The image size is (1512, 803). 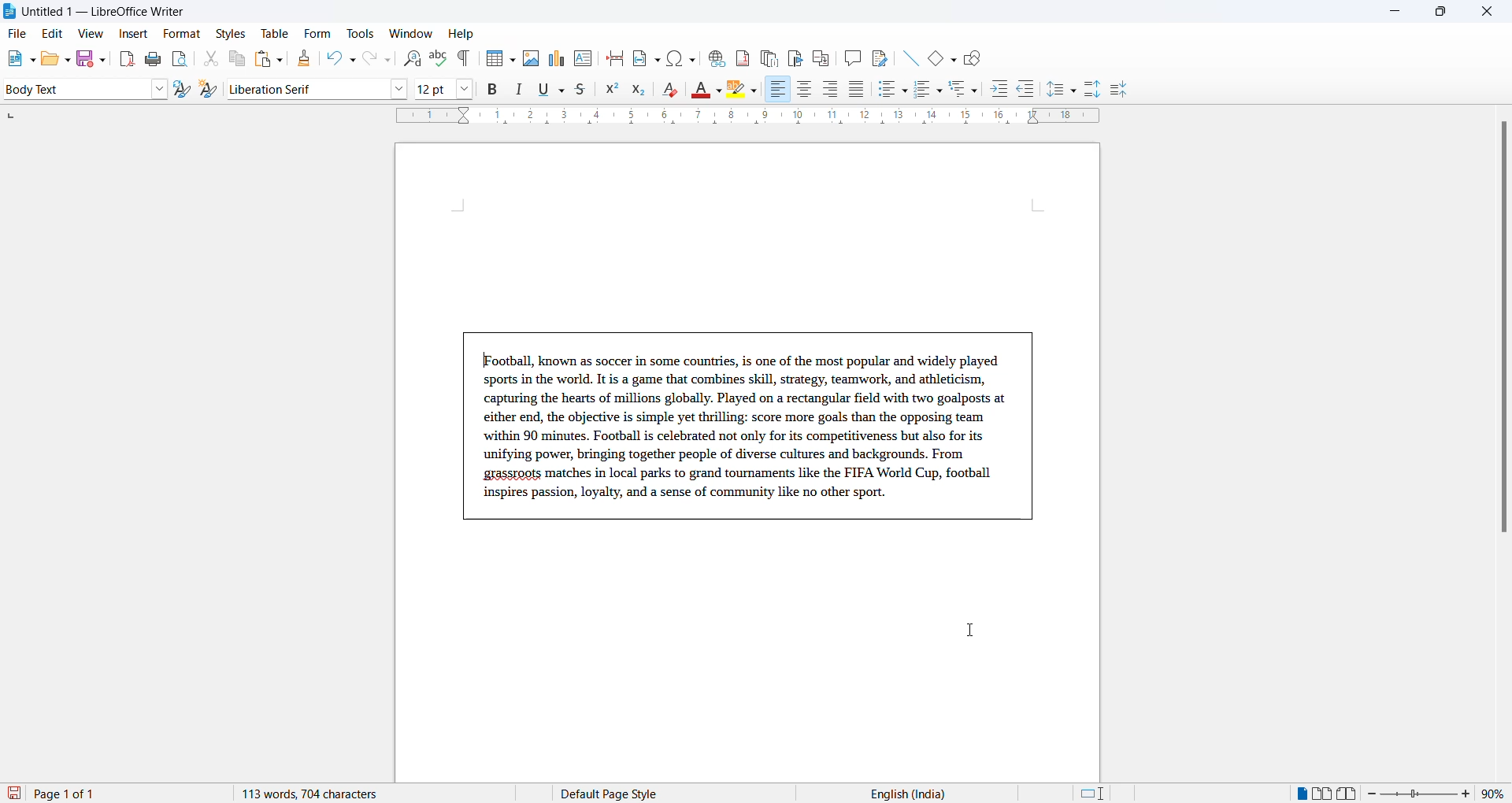 What do you see at coordinates (94, 55) in the screenshot?
I see `save as` at bounding box center [94, 55].